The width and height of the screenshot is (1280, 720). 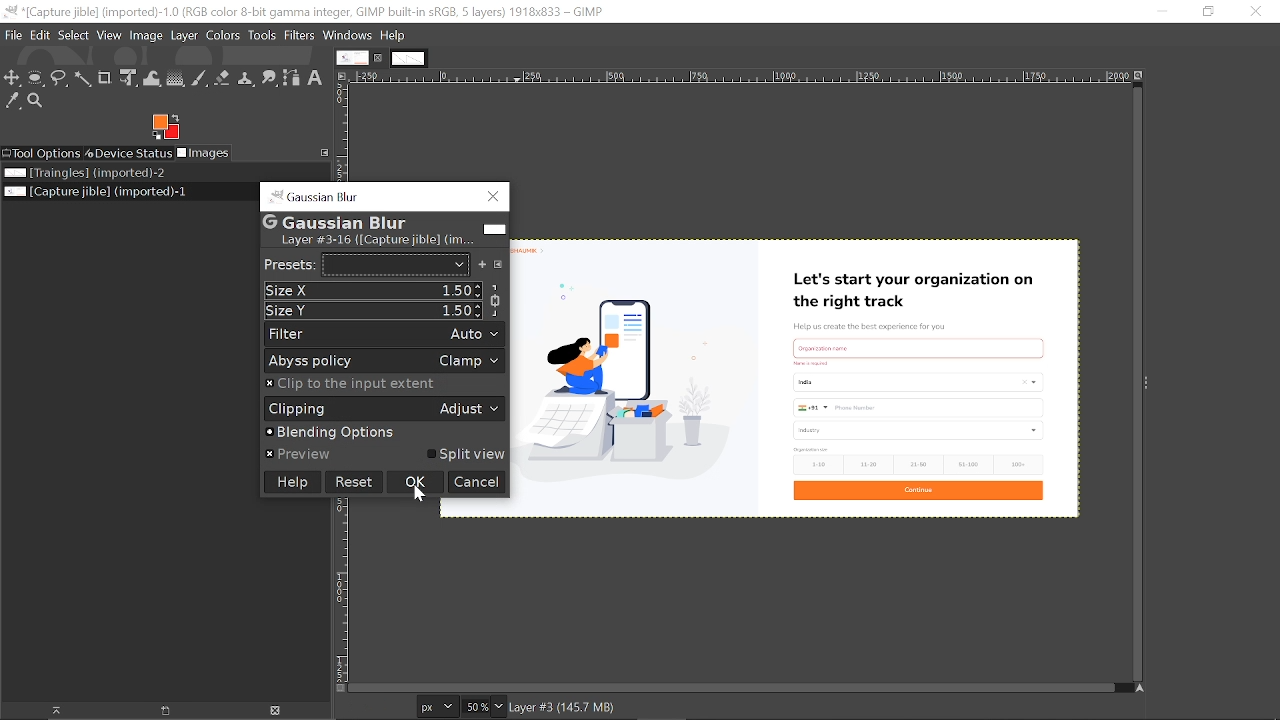 What do you see at coordinates (281, 710) in the screenshot?
I see `Delet image` at bounding box center [281, 710].